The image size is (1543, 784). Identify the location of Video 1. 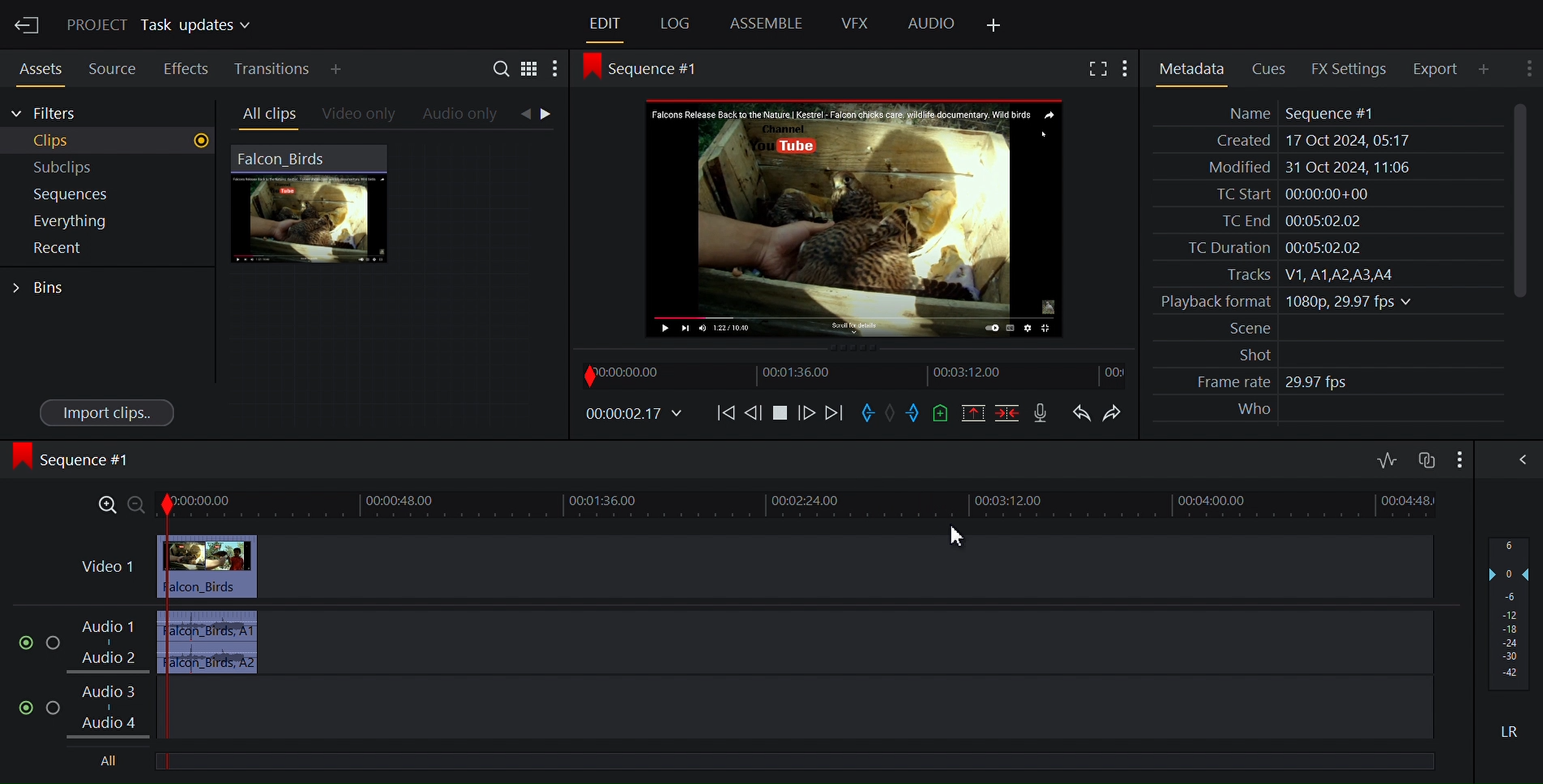
(105, 568).